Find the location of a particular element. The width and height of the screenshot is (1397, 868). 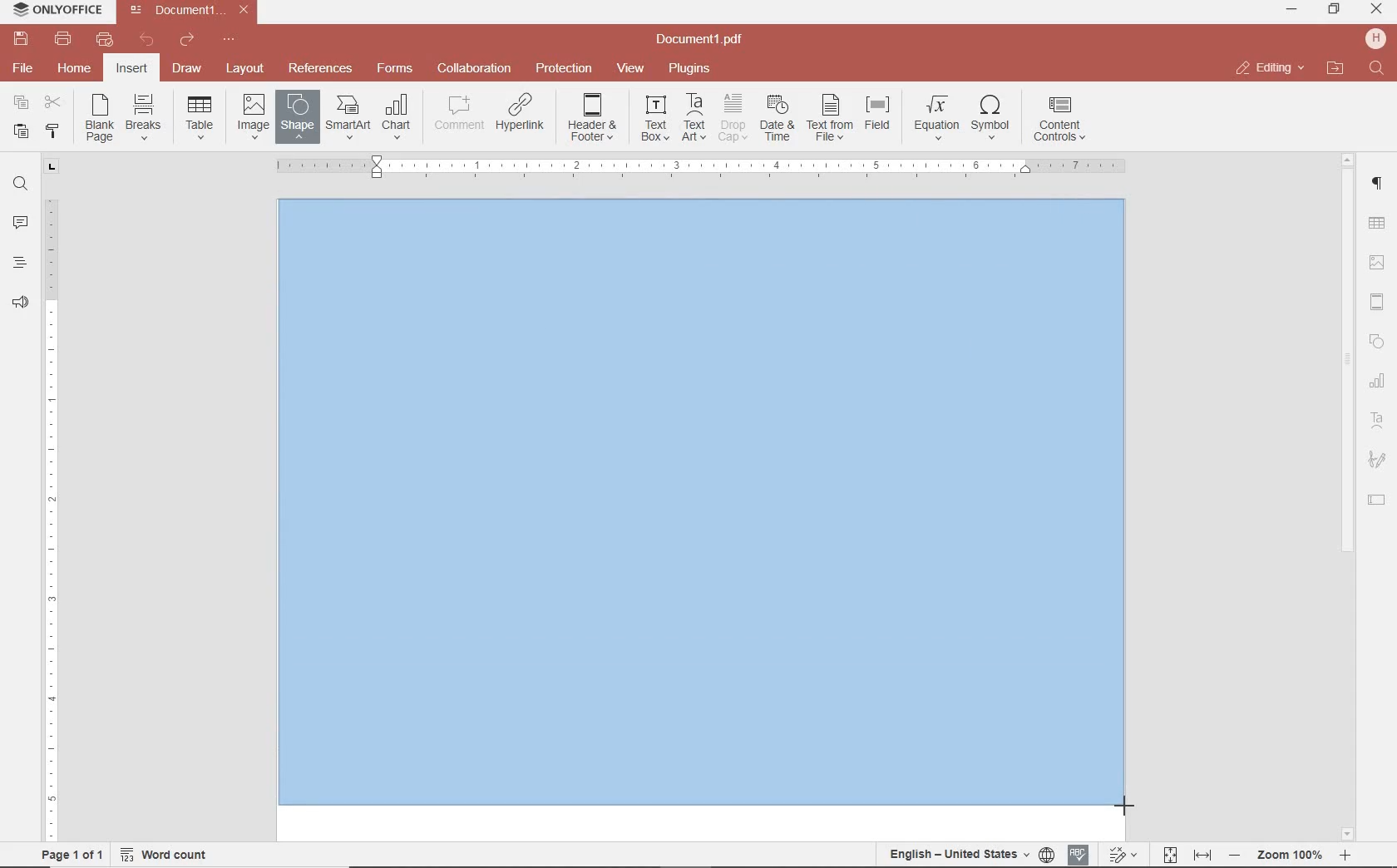

close is located at coordinates (1269, 68).